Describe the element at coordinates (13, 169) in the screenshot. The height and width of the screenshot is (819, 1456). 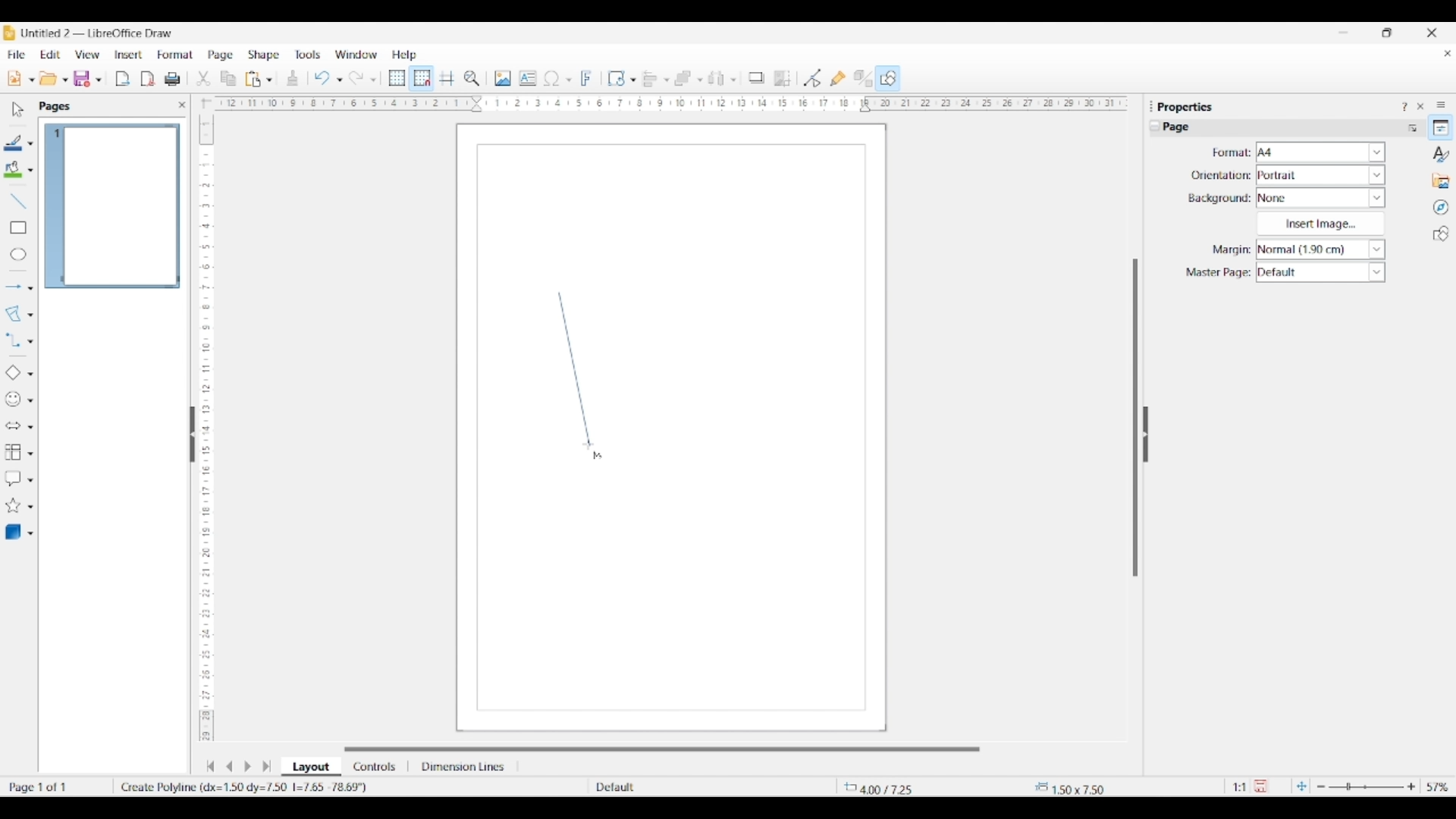
I see `Selected fill color` at that location.